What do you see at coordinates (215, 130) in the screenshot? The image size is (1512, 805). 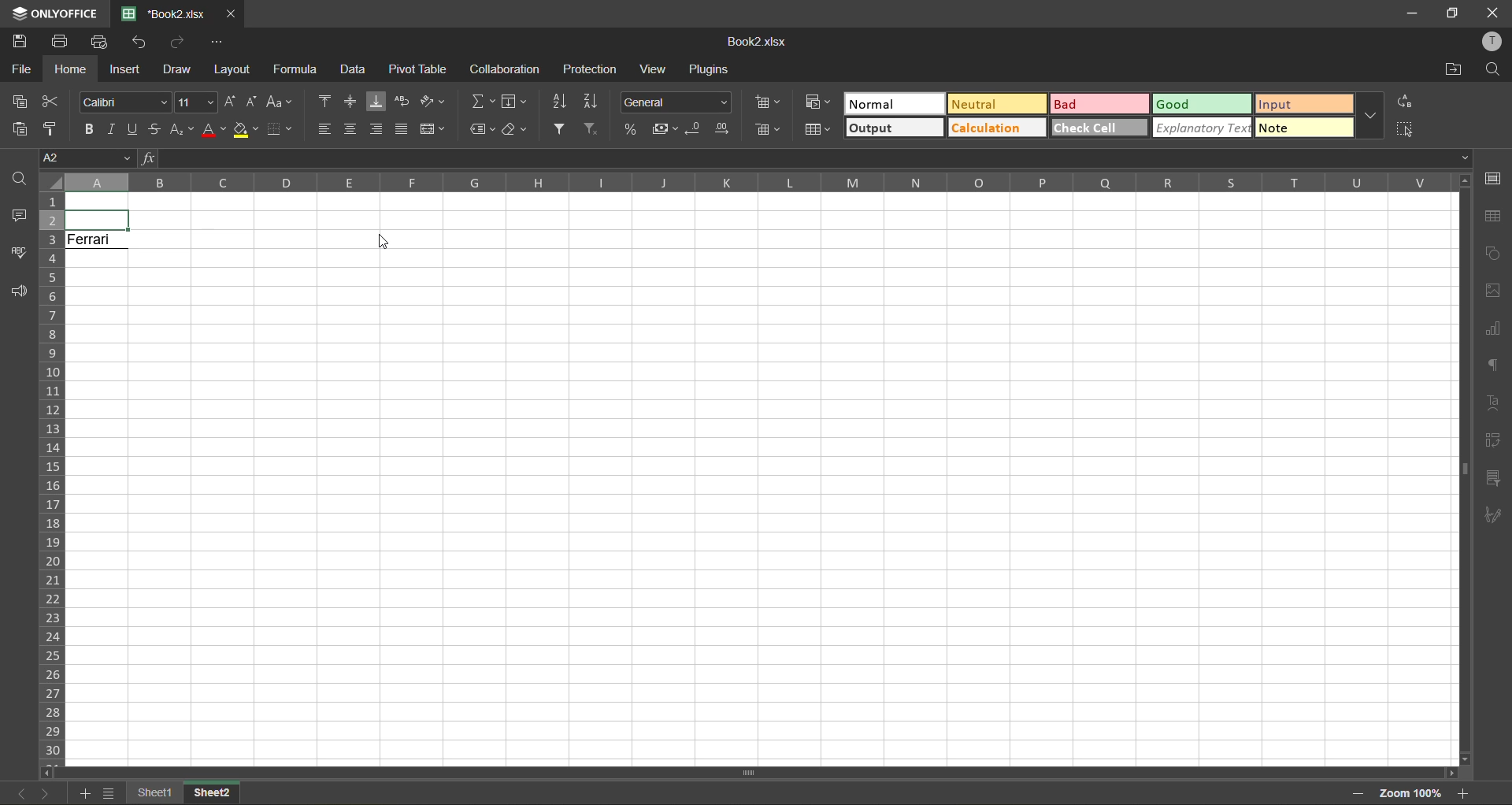 I see `font color` at bounding box center [215, 130].